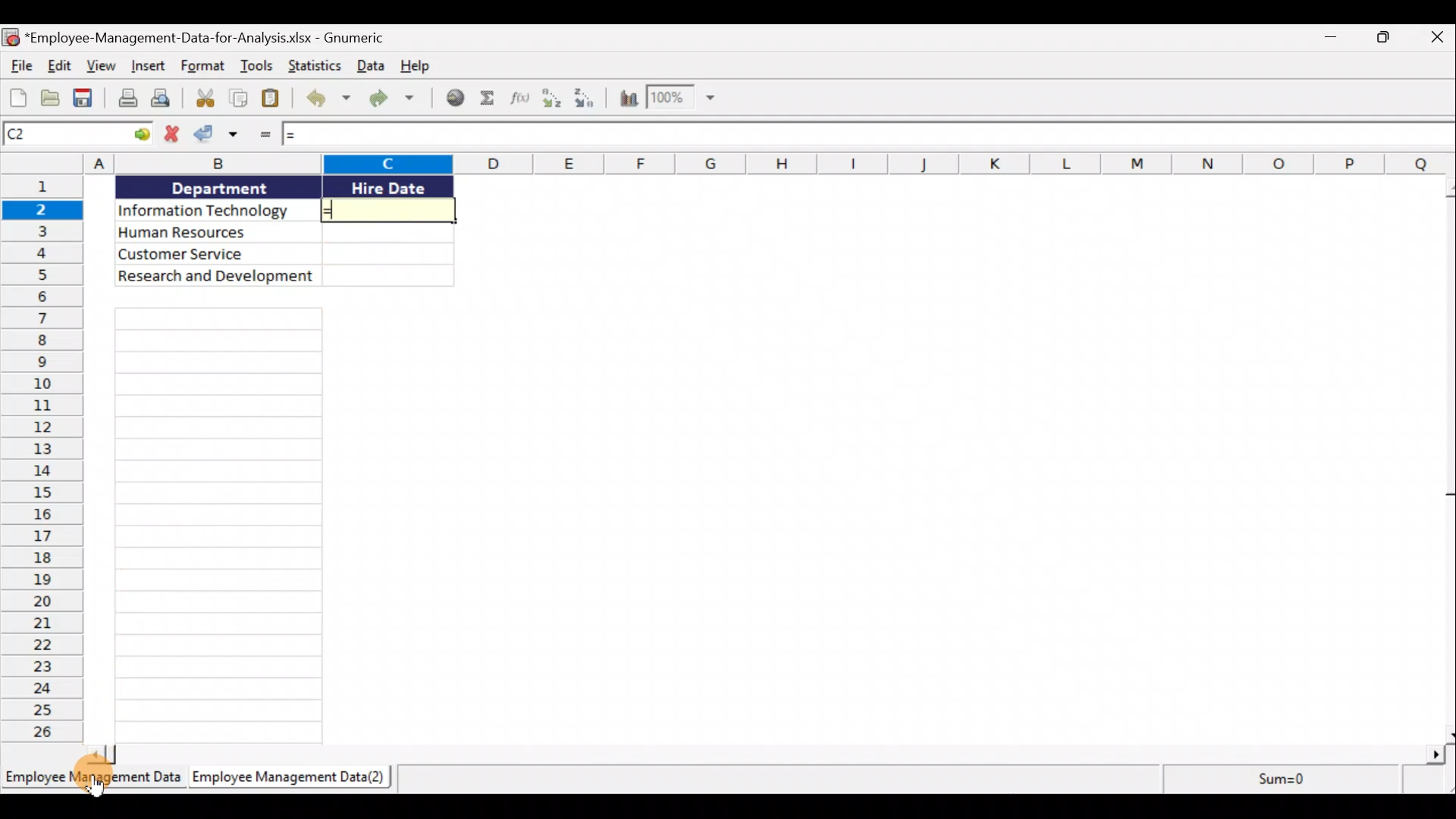 This screenshot has height=819, width=1456. What do you see at coordinates (457, 96) in the screenshot?
I see `Insert hyperlink` at bounding box center [457, 96].